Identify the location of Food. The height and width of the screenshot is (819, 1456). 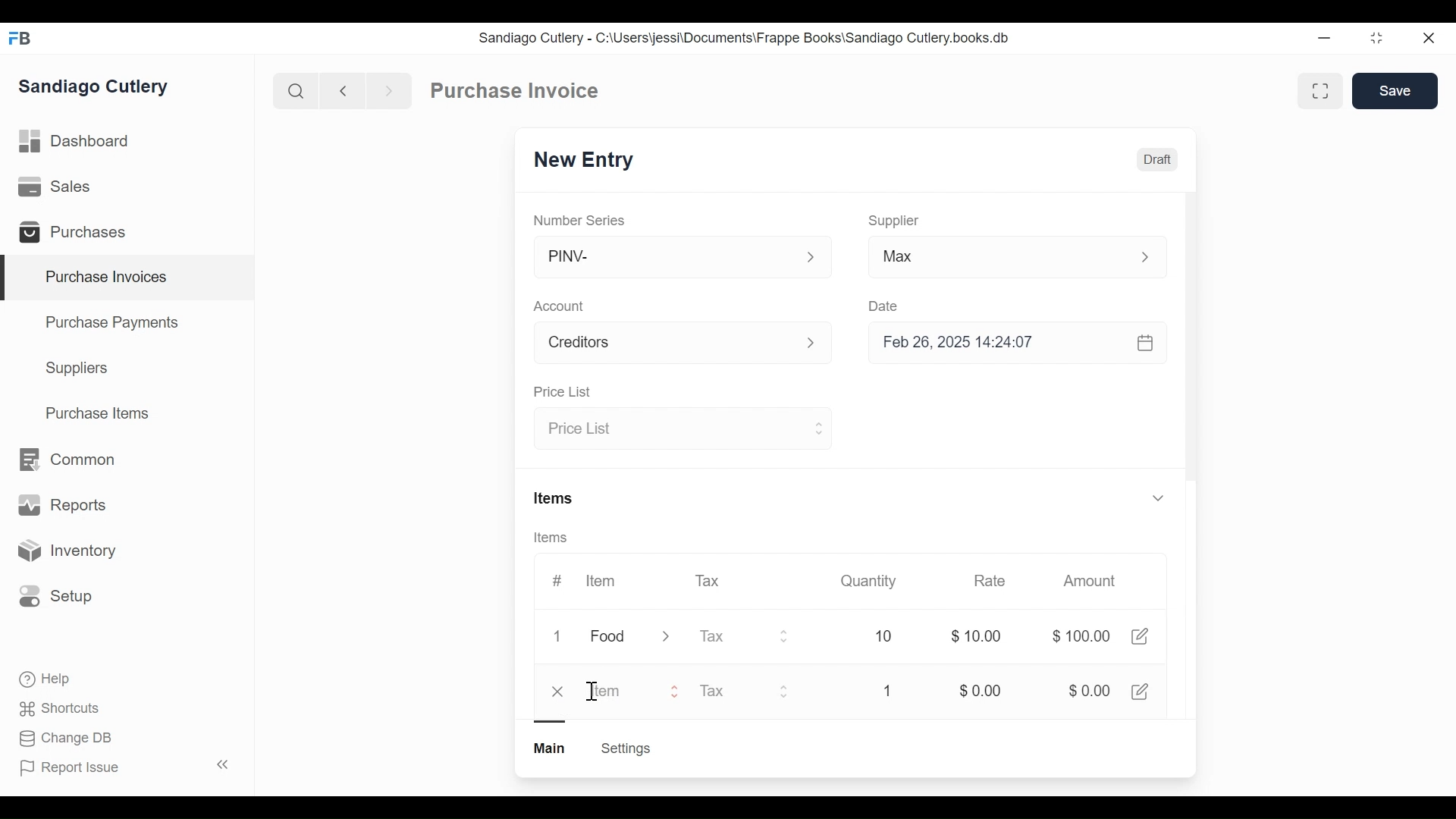
(610, 638).